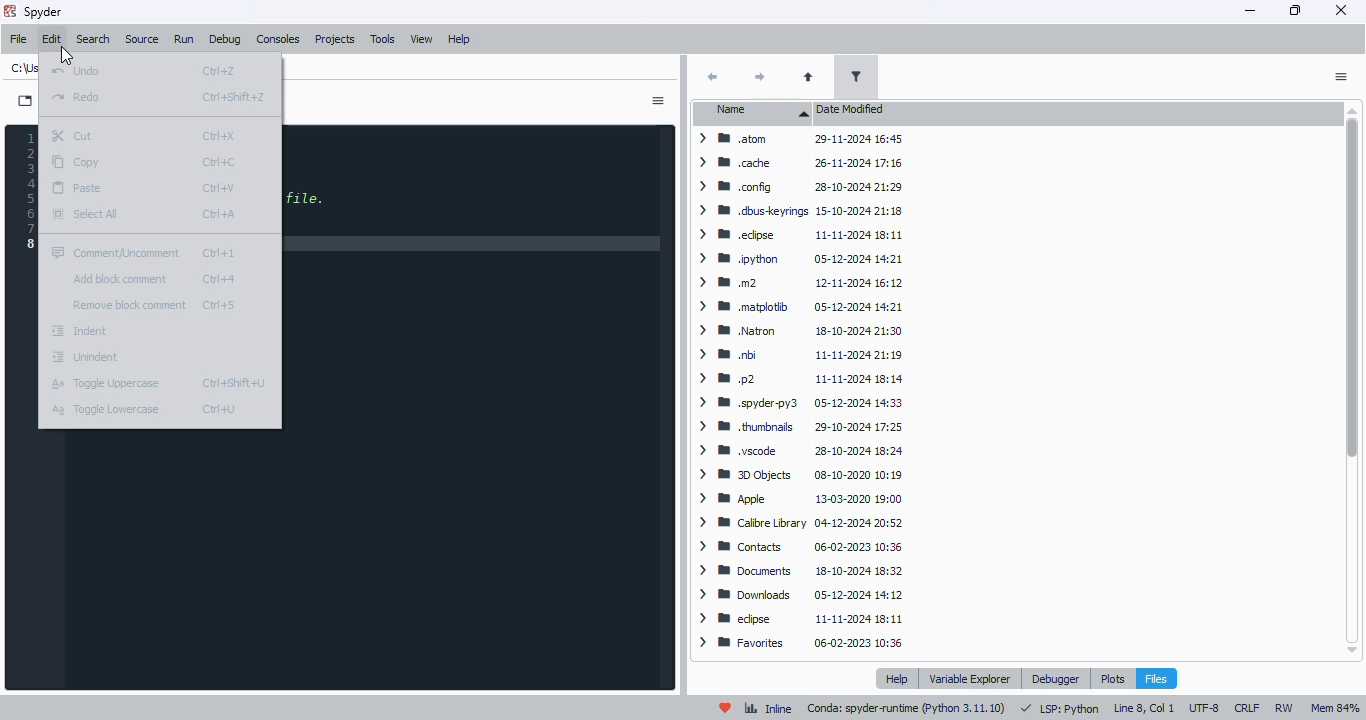 The height and width of the screenshot is (720, 1366). What do you see at coordinates (1145, 708) in the screenshot?
I see `line 8, col 1` at bounding box center [1145, 708].